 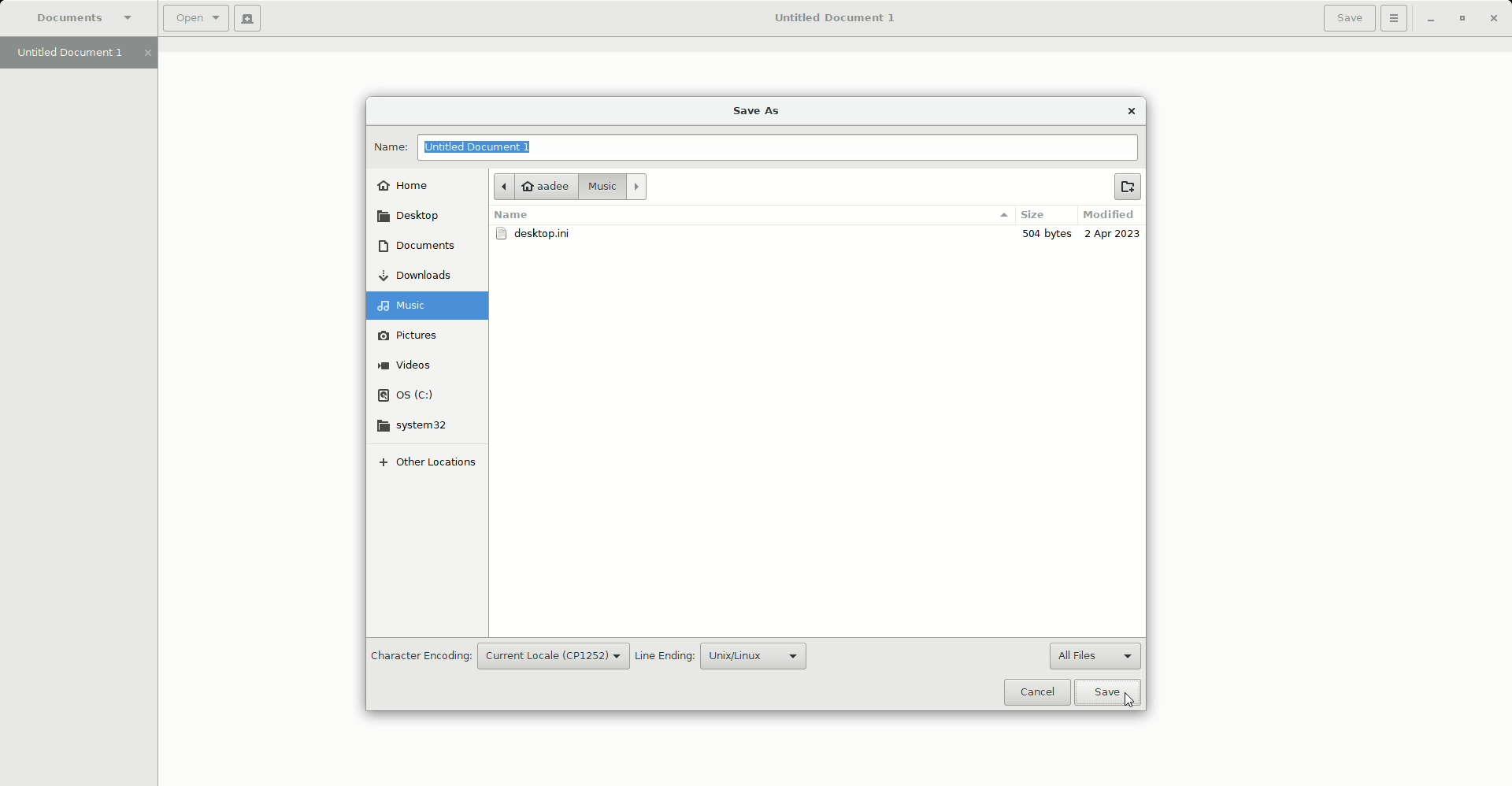 What do you see at coordinates (420, 245) in the screenshot?
I see `Documents` at bounding box center [420, 245].